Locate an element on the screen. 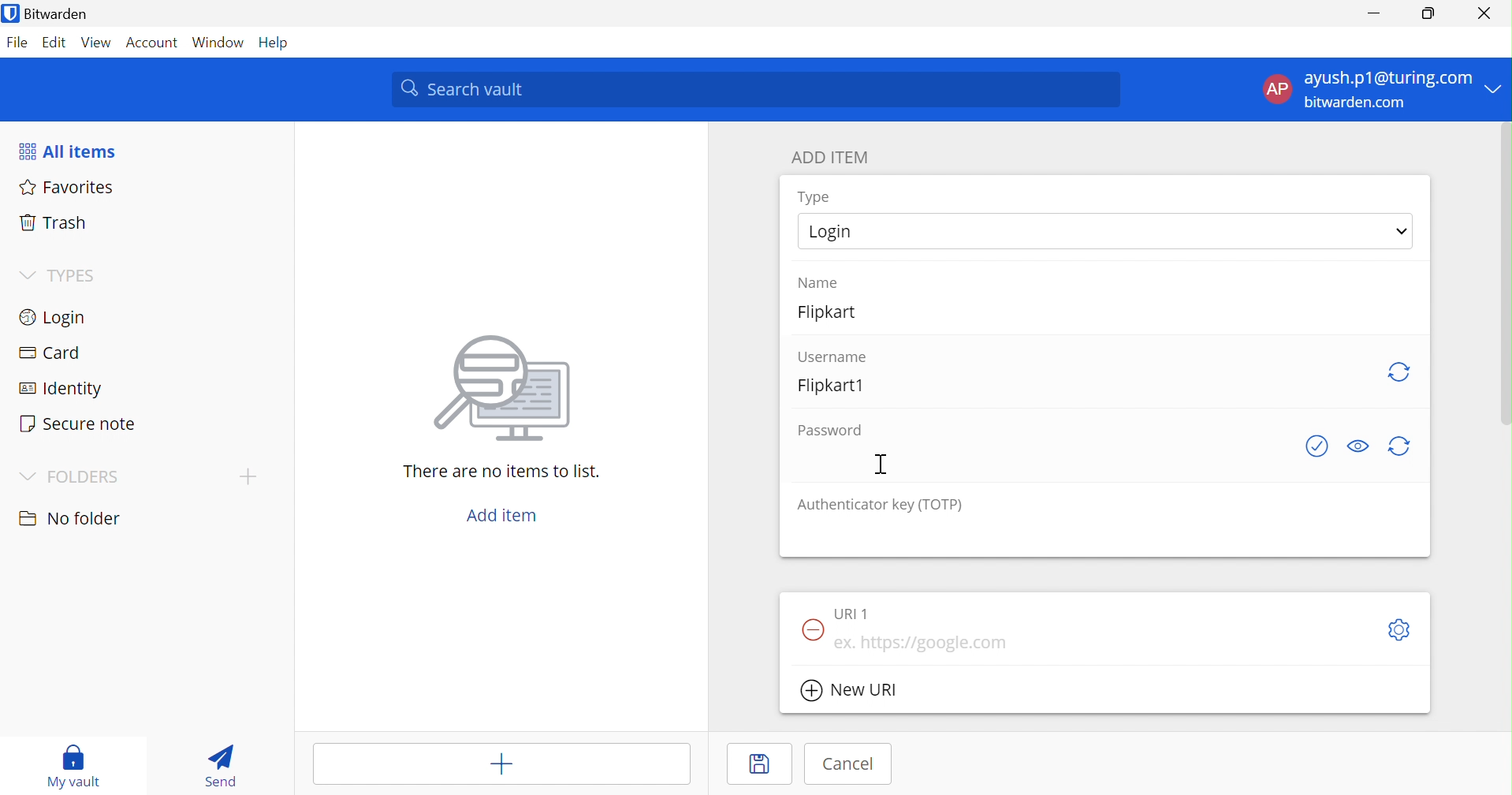  Type is located at coordinates (814, 197).